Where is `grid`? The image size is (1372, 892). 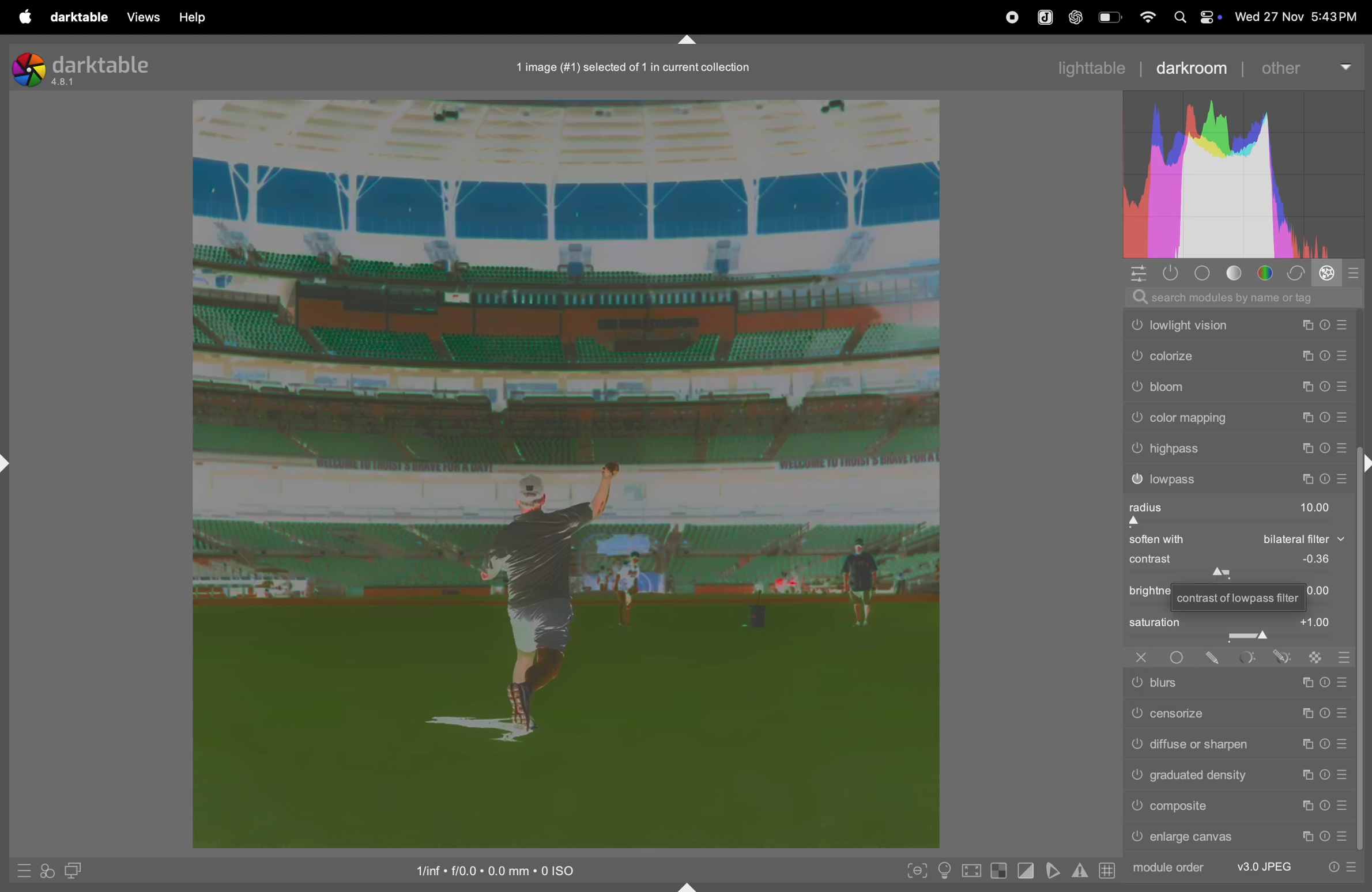
grid is located at coordinates (1106, 871).